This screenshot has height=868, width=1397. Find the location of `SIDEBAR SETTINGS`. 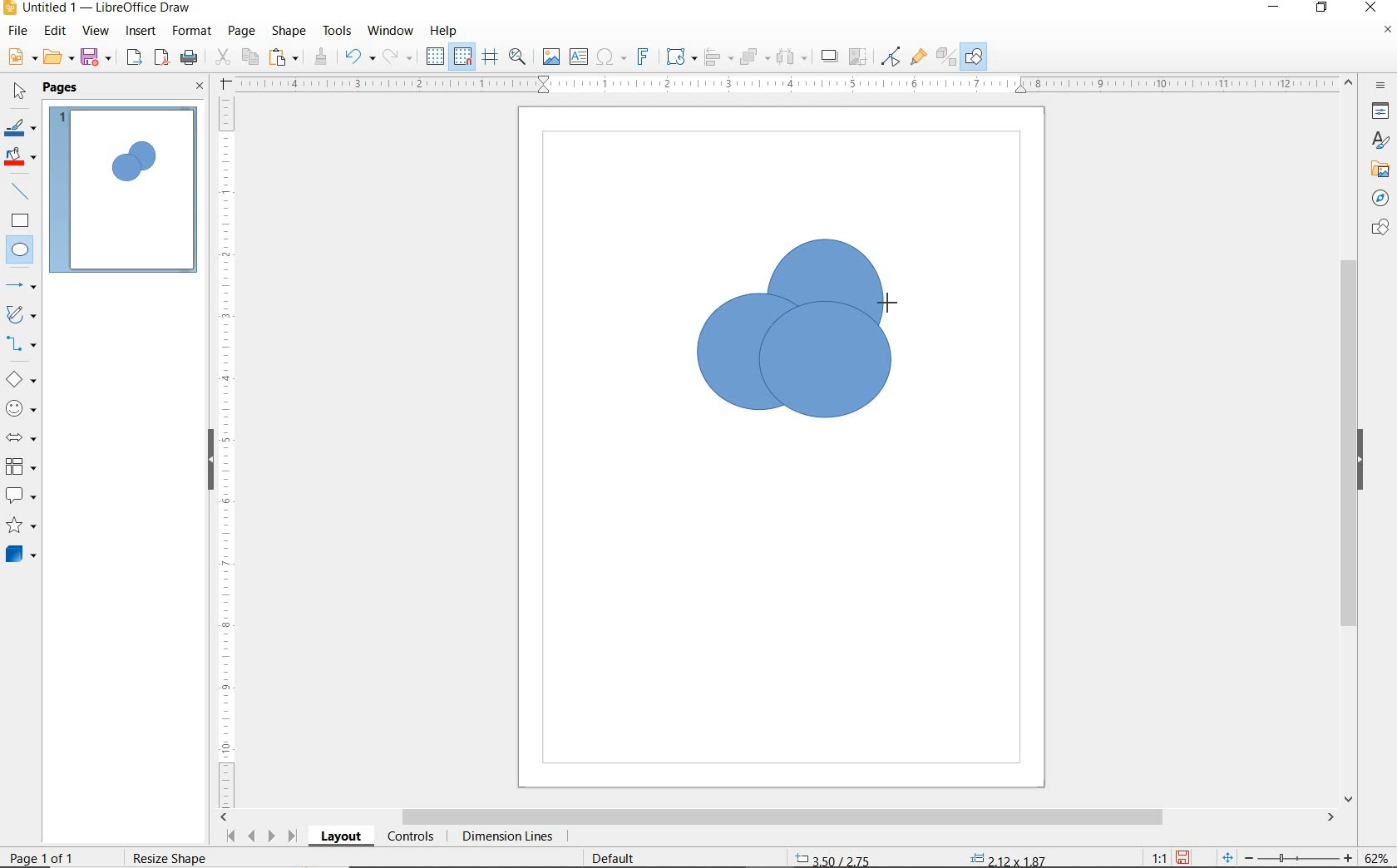

SIDEBAR SETTINGS is located at coordinates (1381, 86).